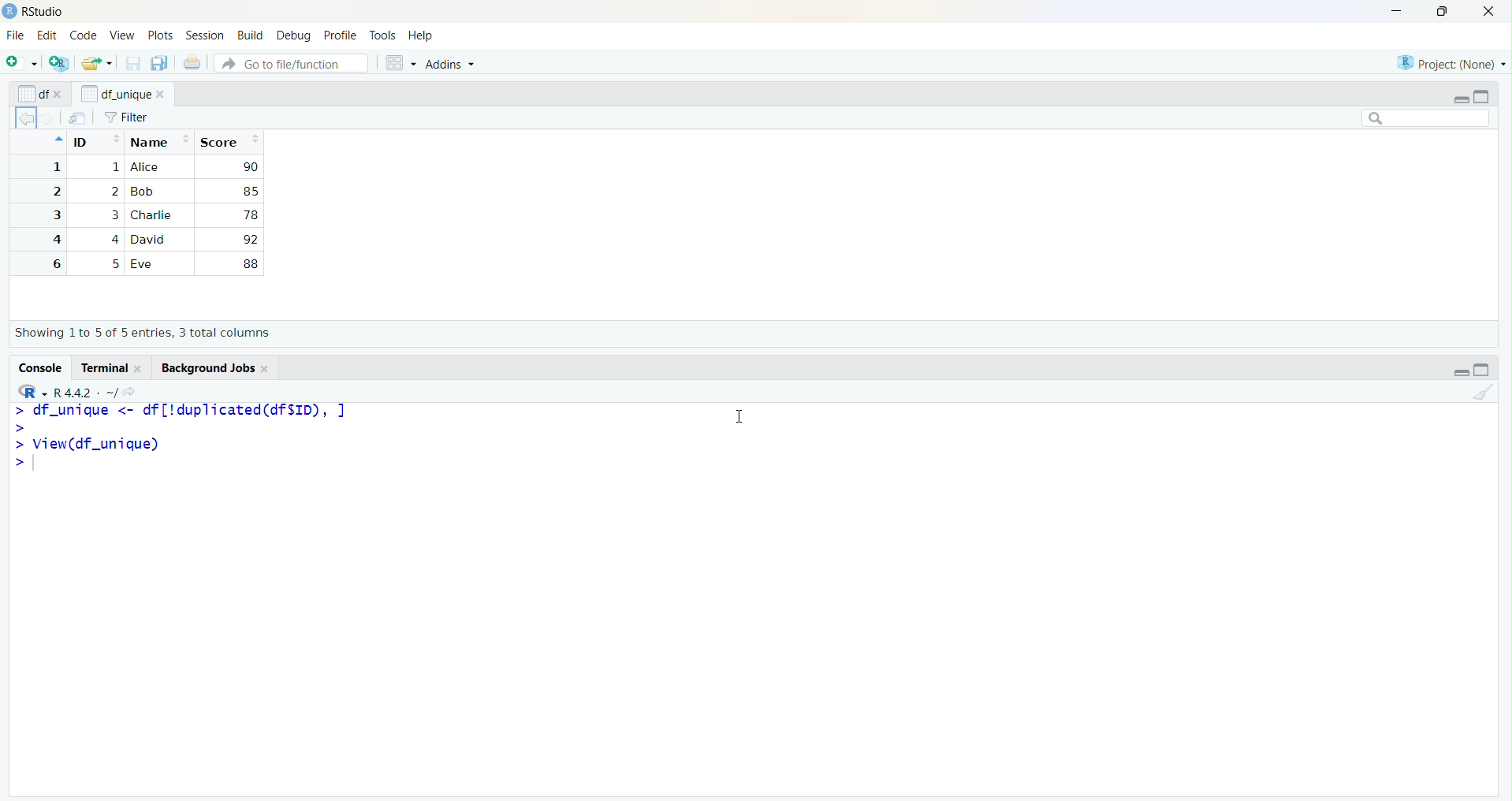  Describe the element at coordinates (295, 35) in the screenshot. I see `Debug` at that location.